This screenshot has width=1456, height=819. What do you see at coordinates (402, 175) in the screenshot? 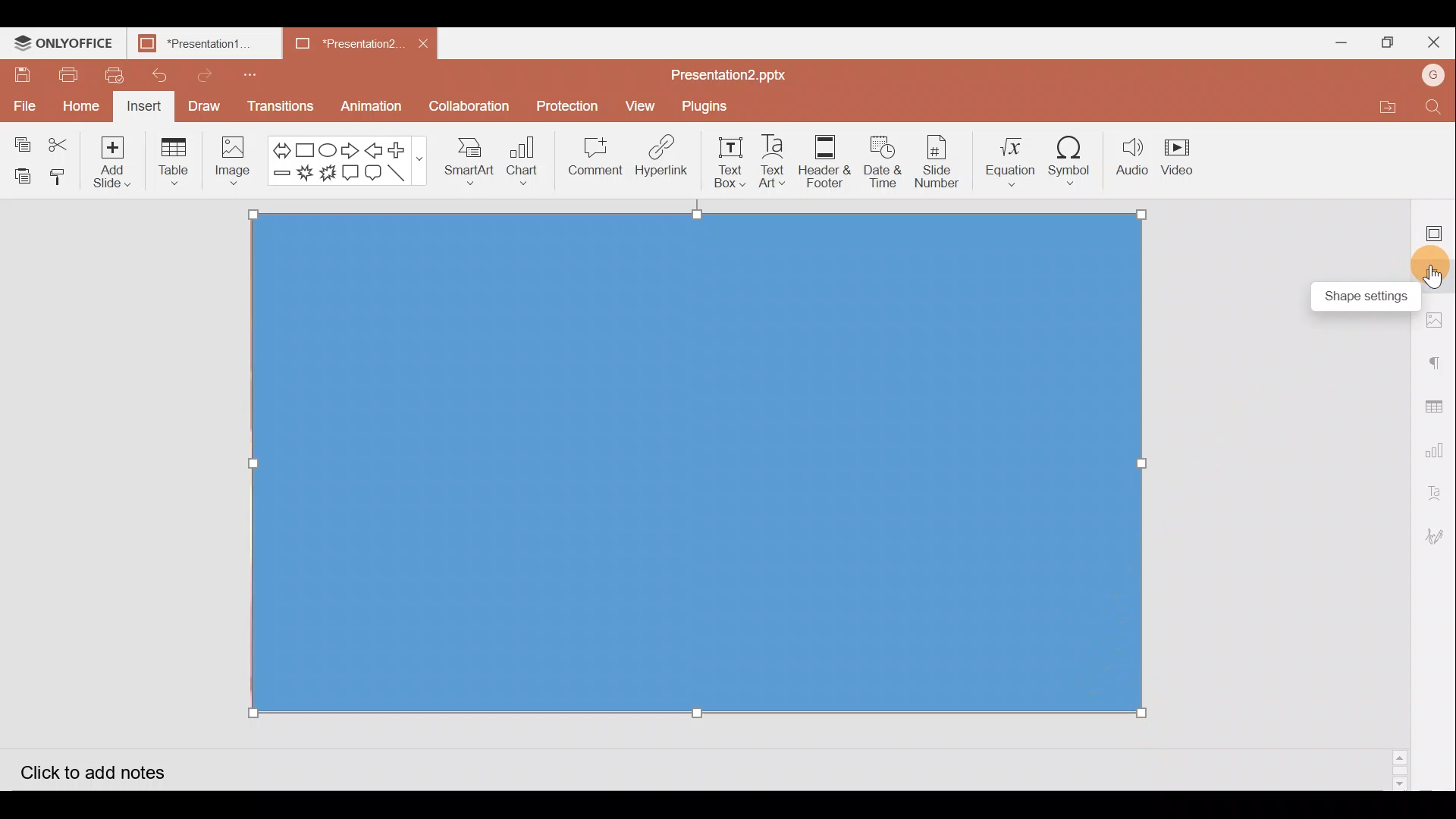
I see `Line` at bounding box center [402, 175].